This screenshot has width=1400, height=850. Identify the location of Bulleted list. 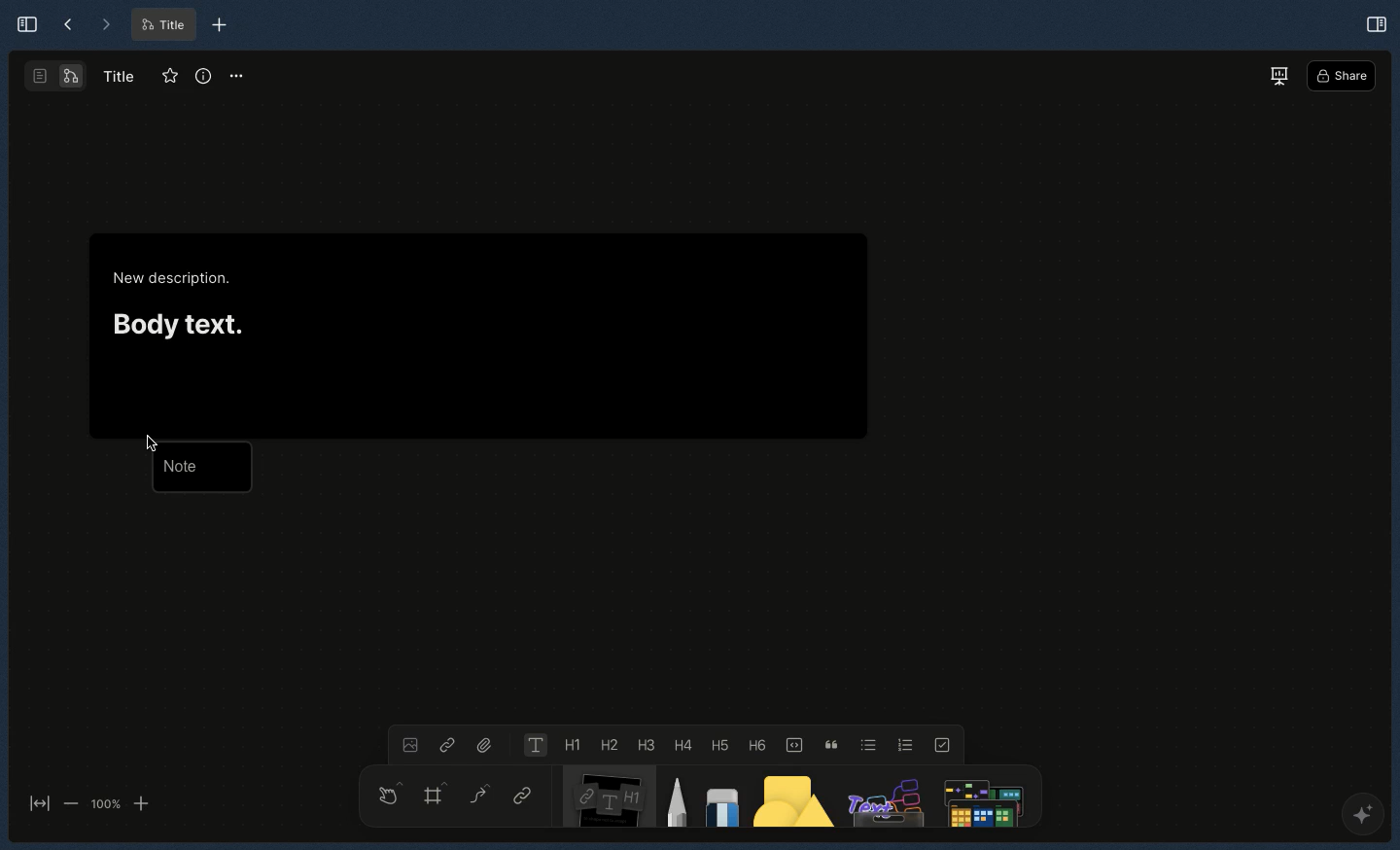
(865, 744).